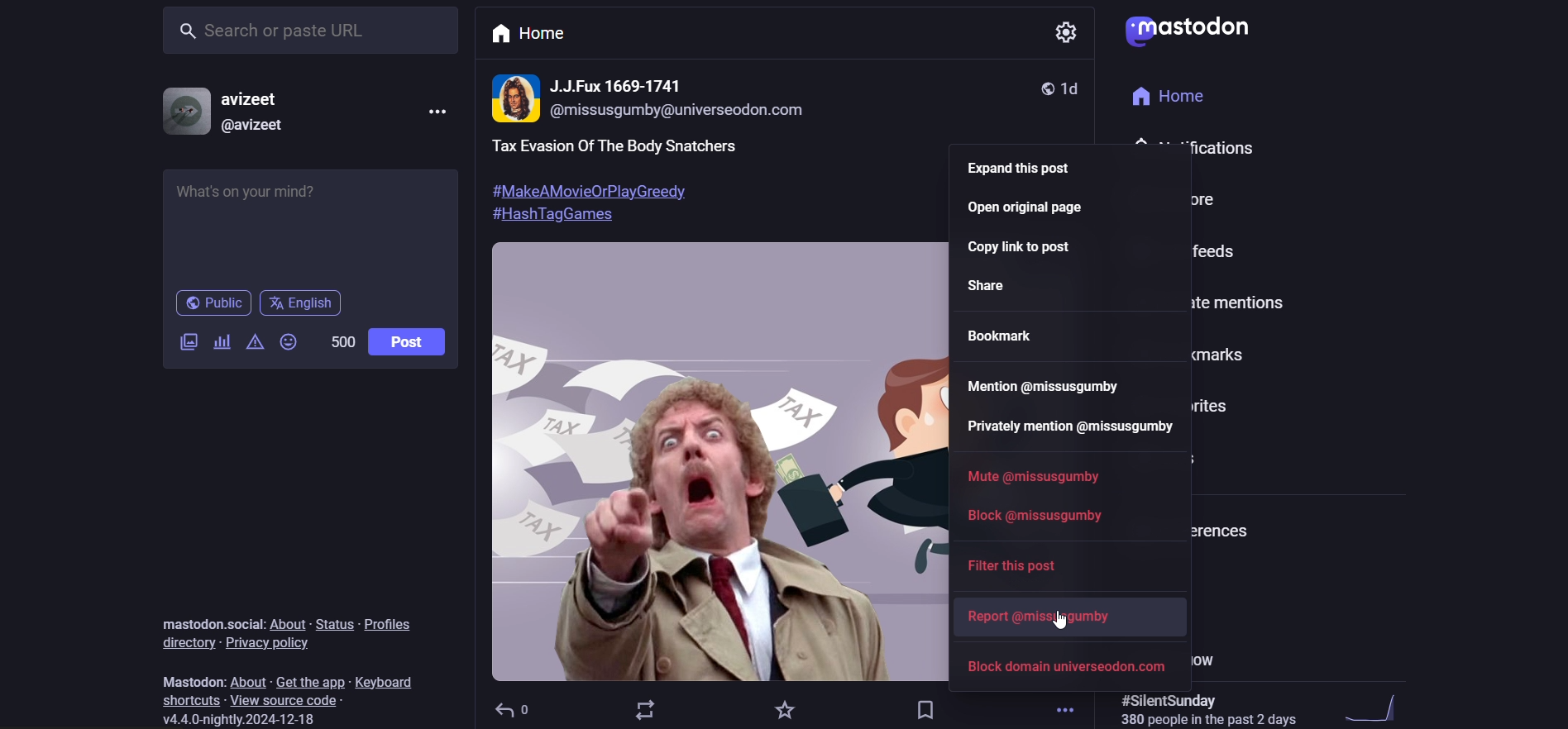 The height and width of the screenshot is (729, 1568). I want to click on source code, so click(288, 699).